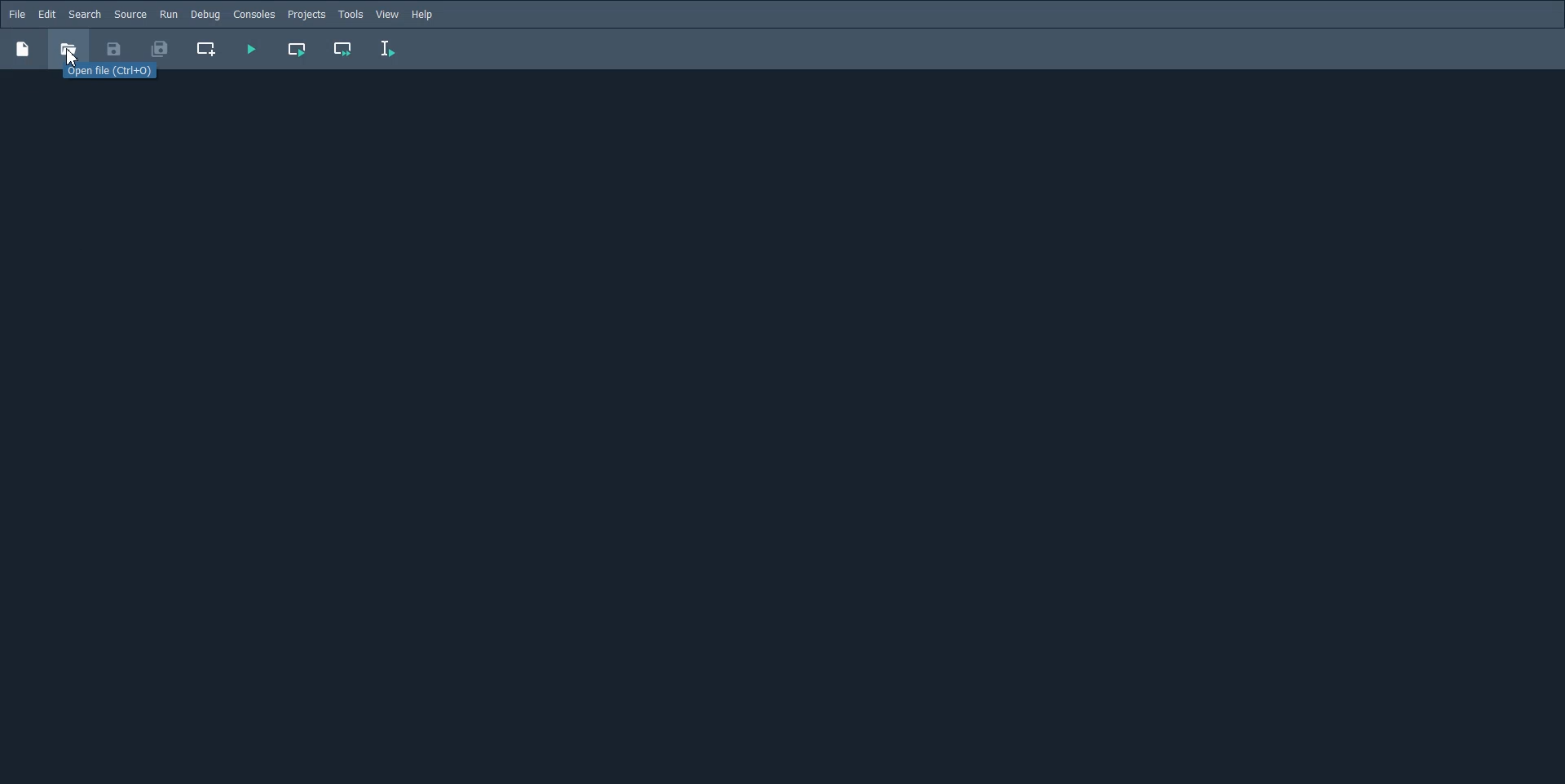  What do you see at coordinates (111, 73) in the screenshot?
I see `Open File` at bounding box center [111, 73].